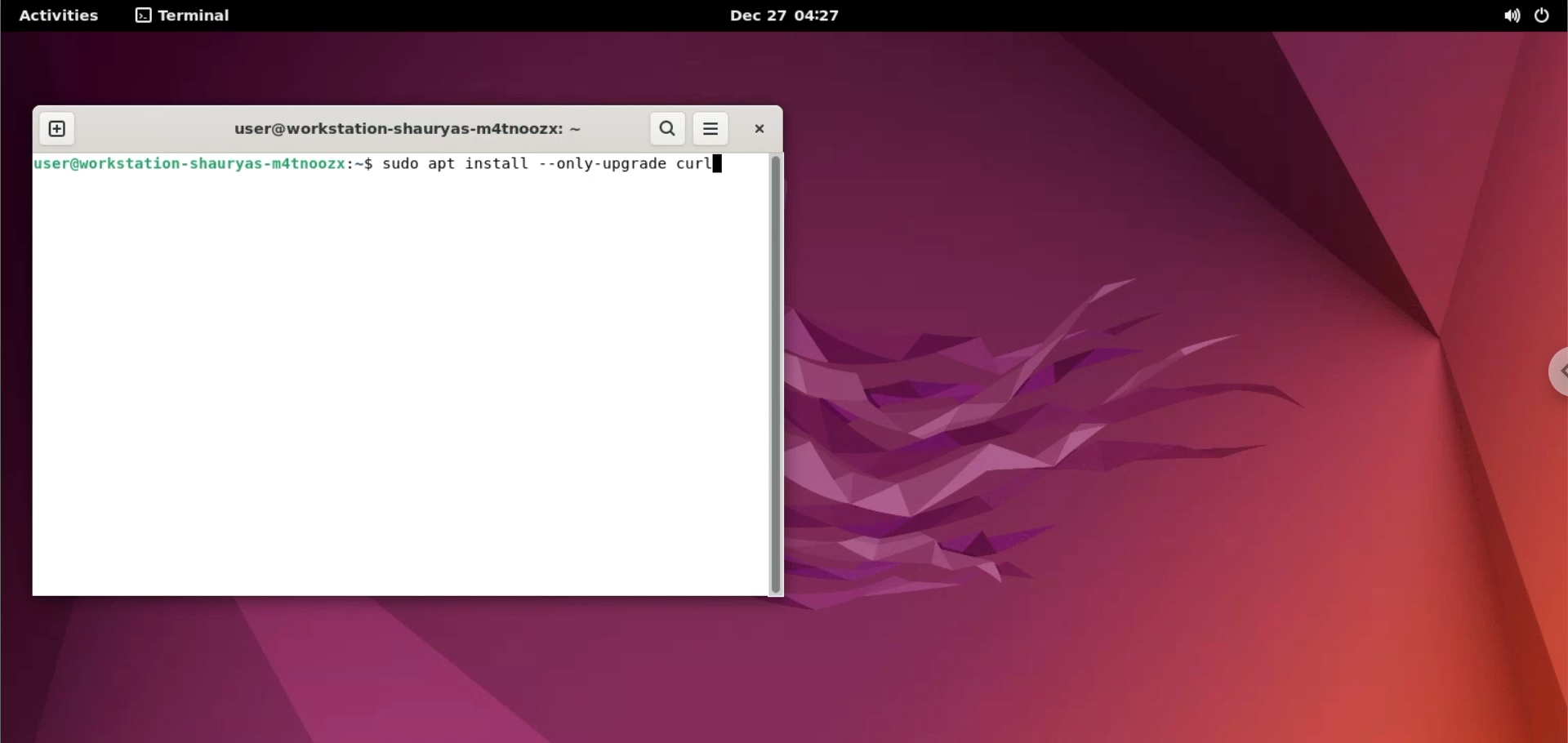 The image size is (1568, 743). What do you see at coordinates (543, 166) in the screenshot?
I see `sudo apt install --only--upgrade curl` at bounding box center [543, 166].